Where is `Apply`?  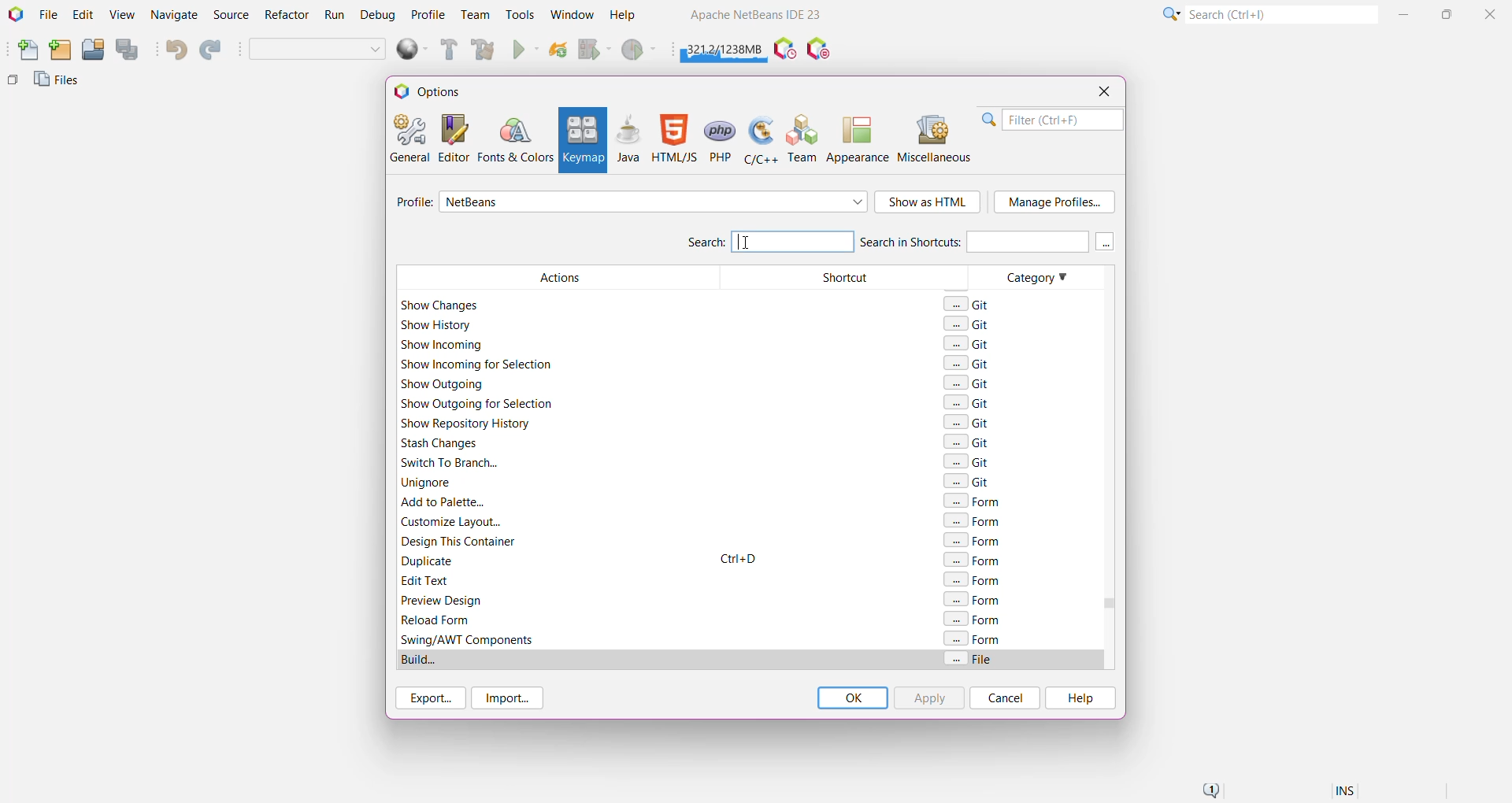 Apply is located at coordinates (928, 698).